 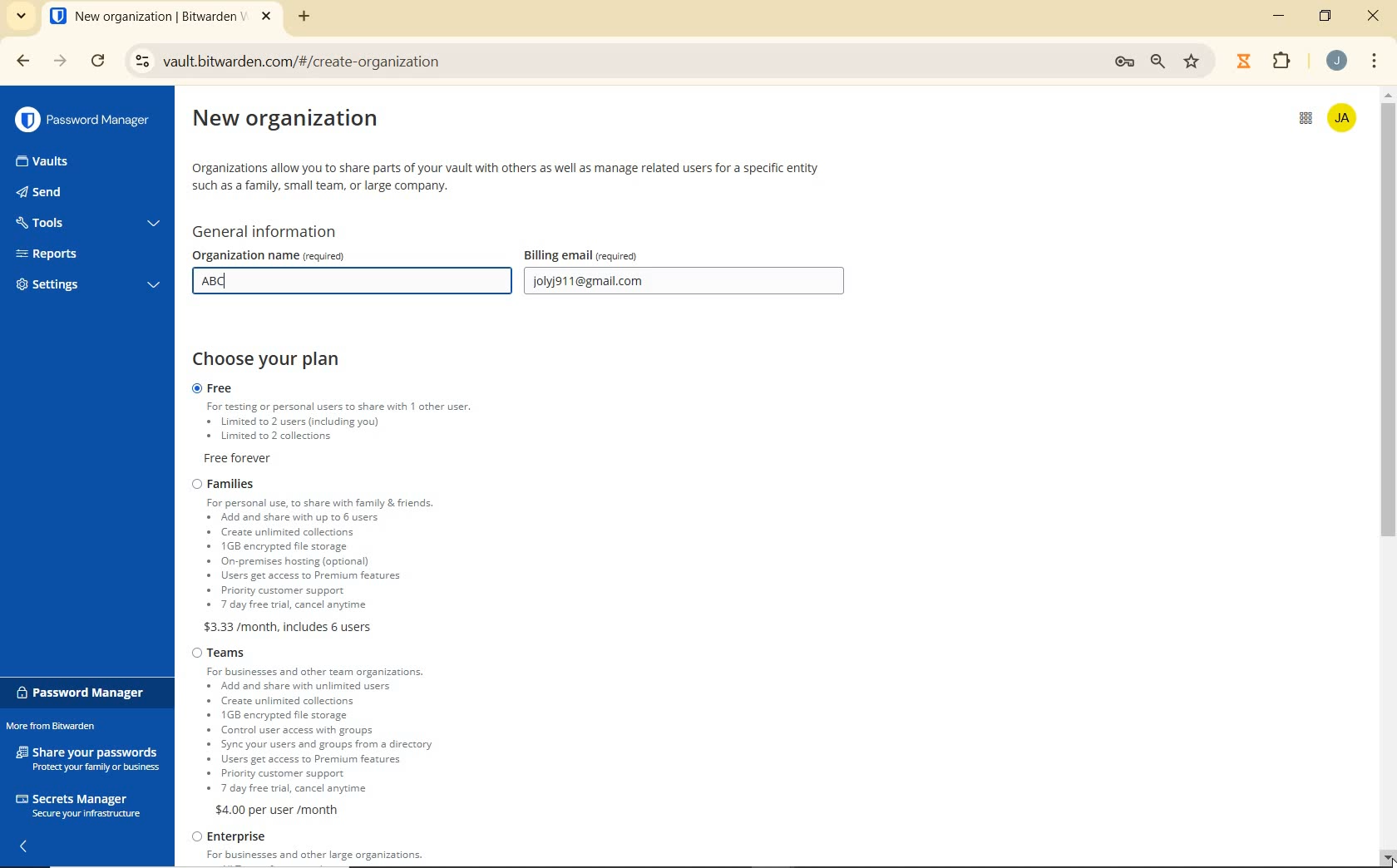 What do you see at coordinates (90, 757) in the screenshot?
I see `share your passwords` at bounding box center [90, 757].